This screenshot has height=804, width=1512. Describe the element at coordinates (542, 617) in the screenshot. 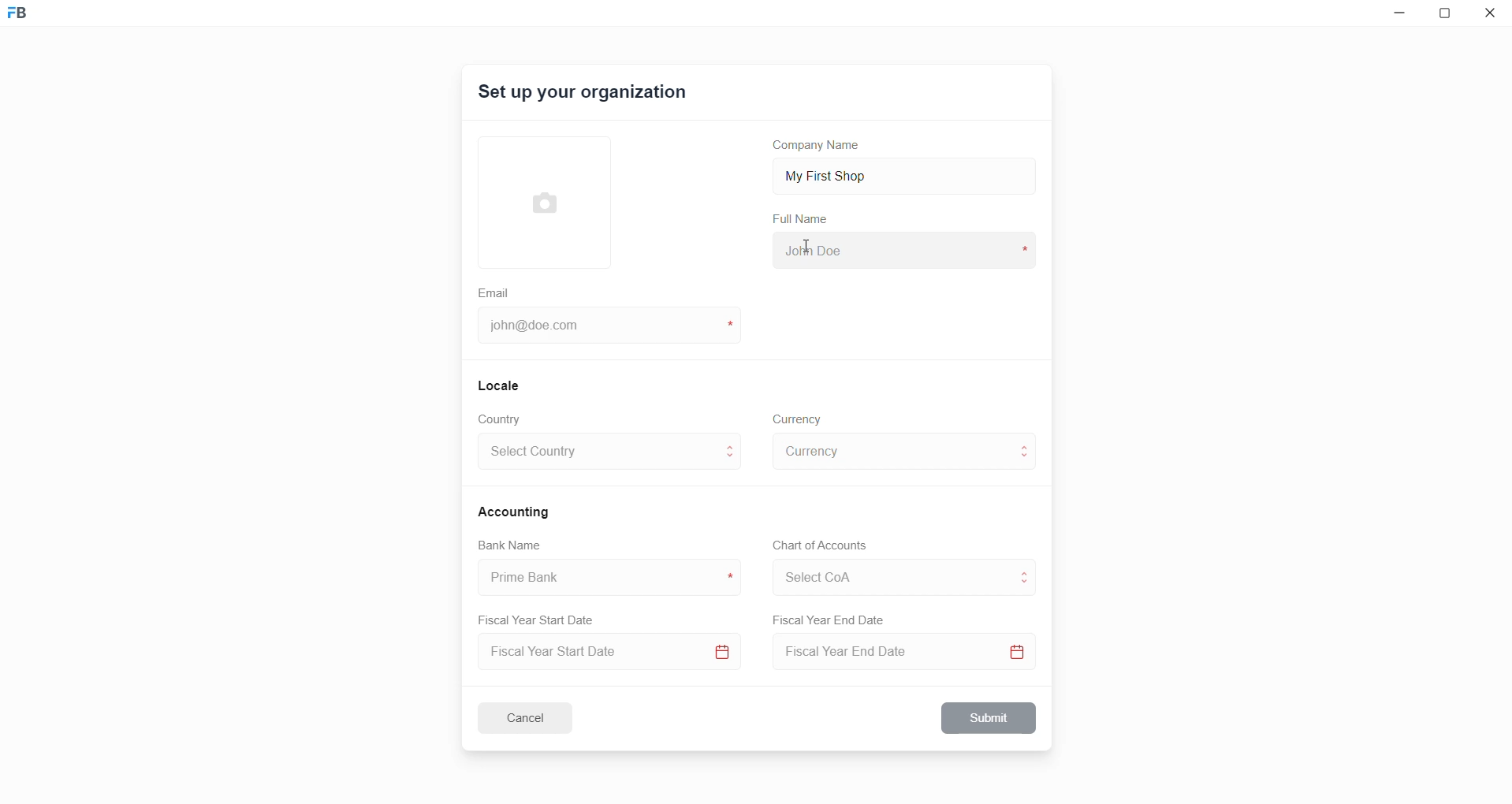

I see `Fiscal Year Start Date` at that location.